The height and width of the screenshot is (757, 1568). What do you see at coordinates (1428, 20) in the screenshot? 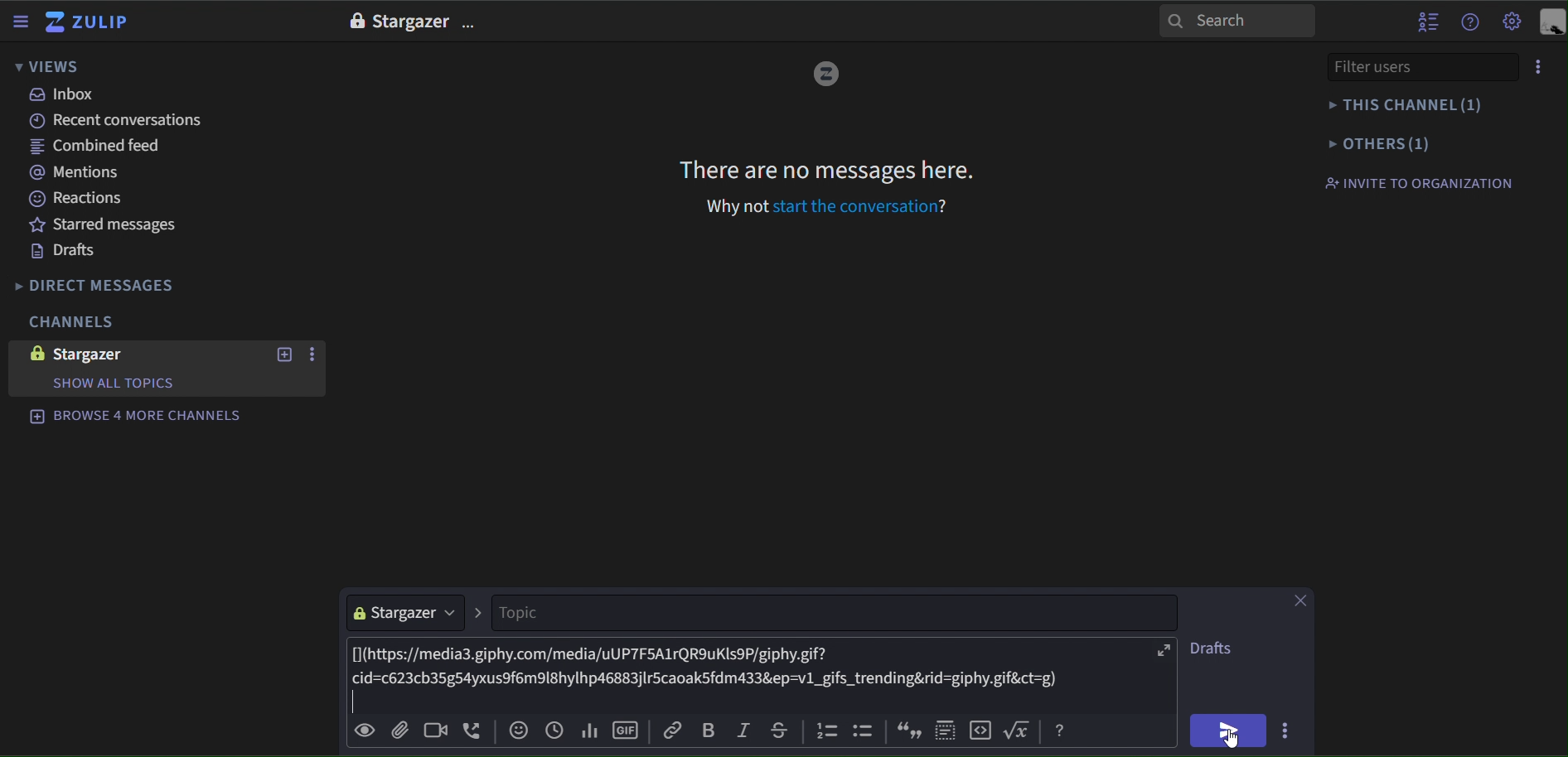
I see `hide user list` at bounding box center [1428, 20].